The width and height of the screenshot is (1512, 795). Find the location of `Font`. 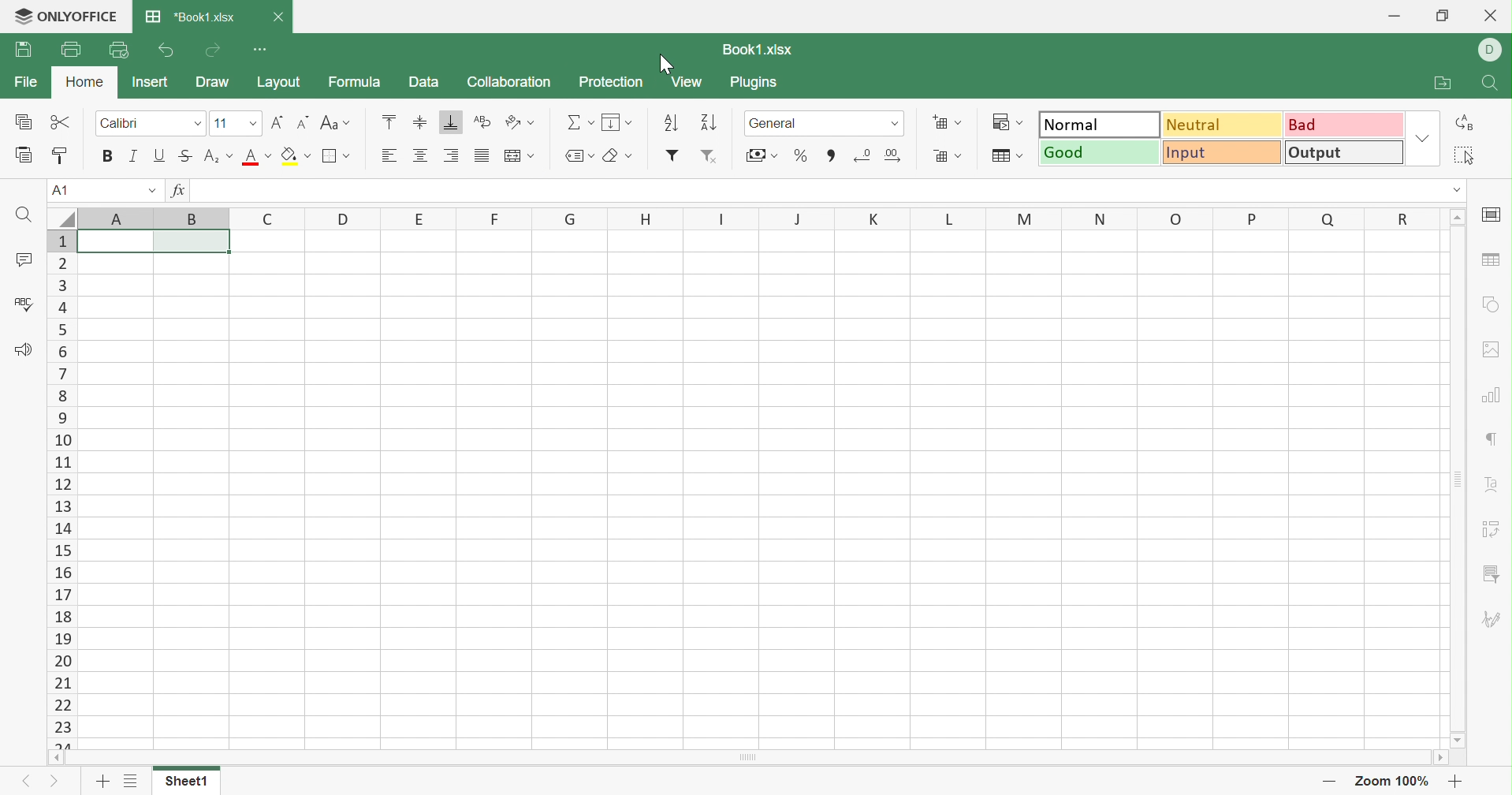

Font is located at coordinates (121, 124).